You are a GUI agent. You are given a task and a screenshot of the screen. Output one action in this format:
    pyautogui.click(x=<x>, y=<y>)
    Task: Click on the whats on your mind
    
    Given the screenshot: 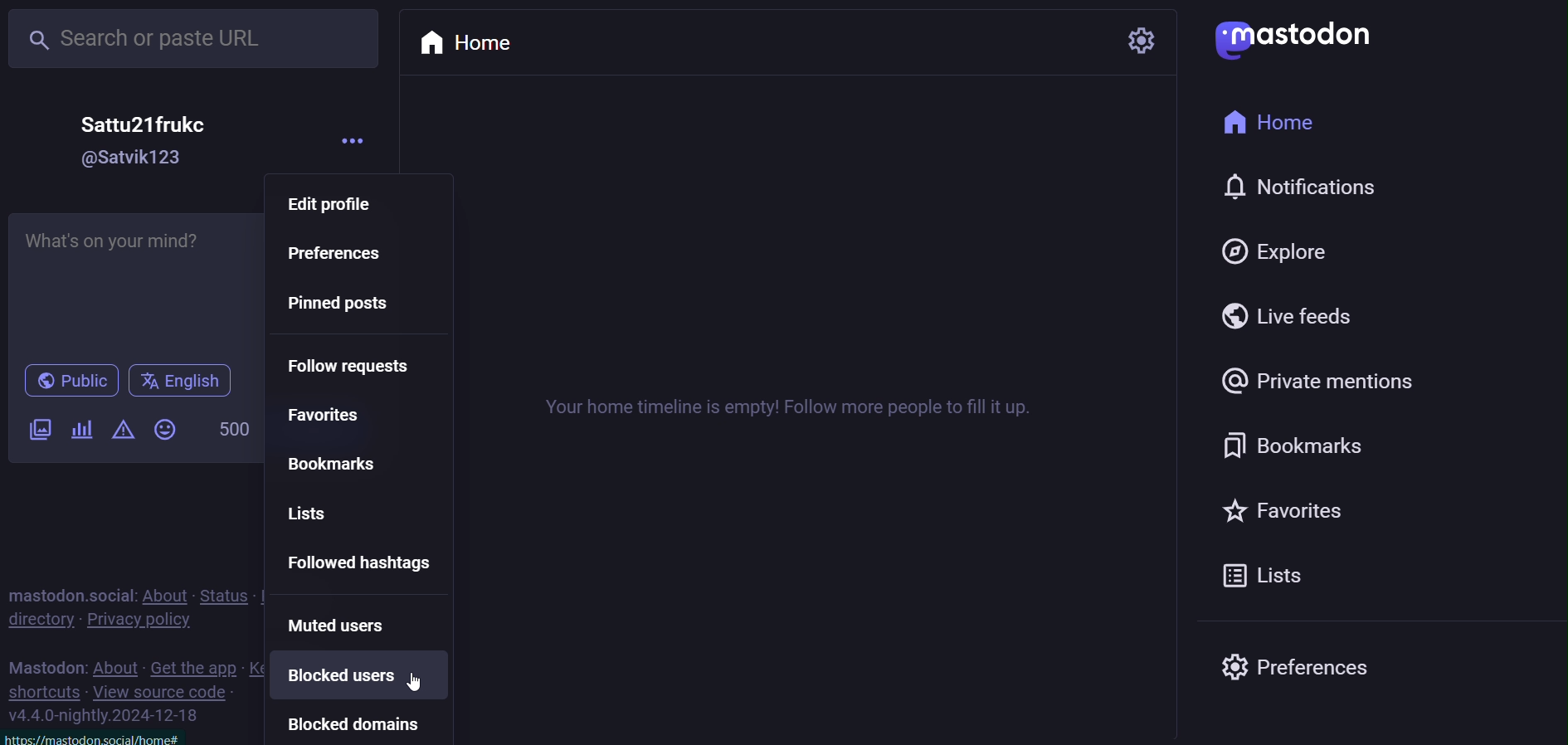 What is the action you would take?
    pyautogui.click(x=134, y=285)
    